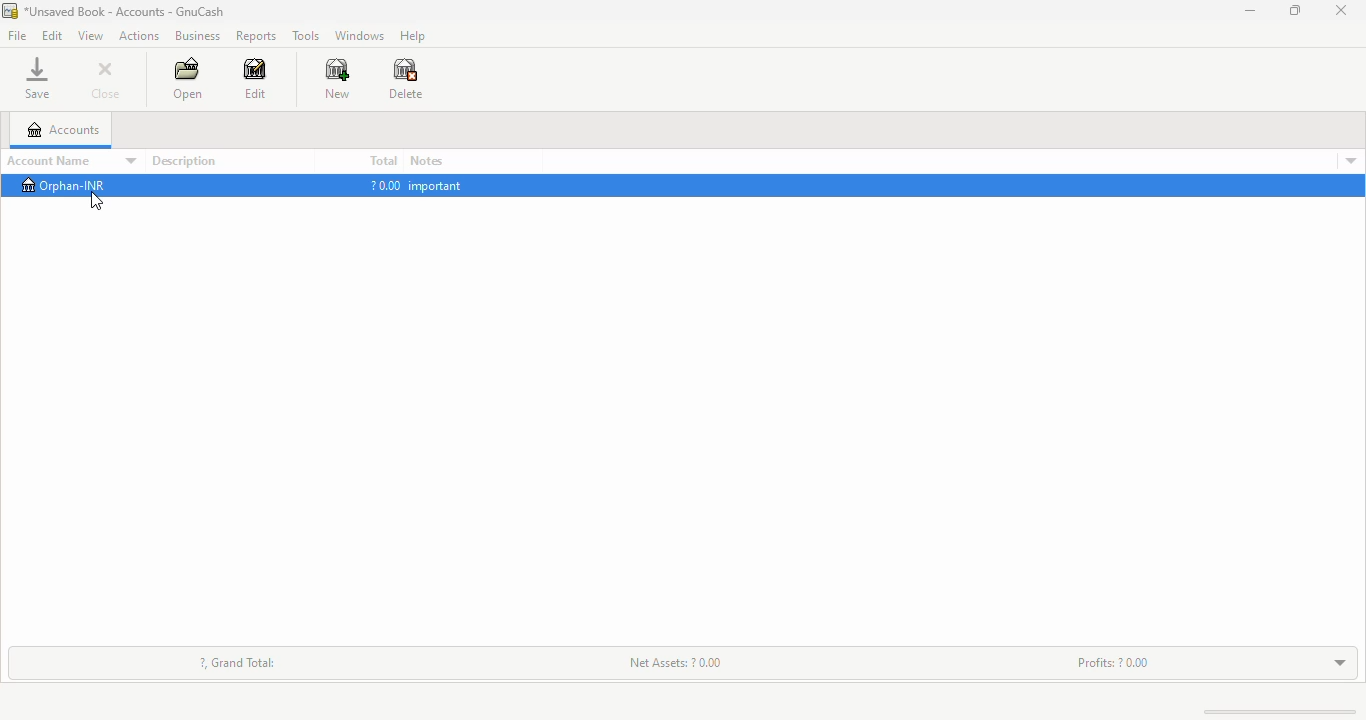  I want to click on help, so click(413, 37).